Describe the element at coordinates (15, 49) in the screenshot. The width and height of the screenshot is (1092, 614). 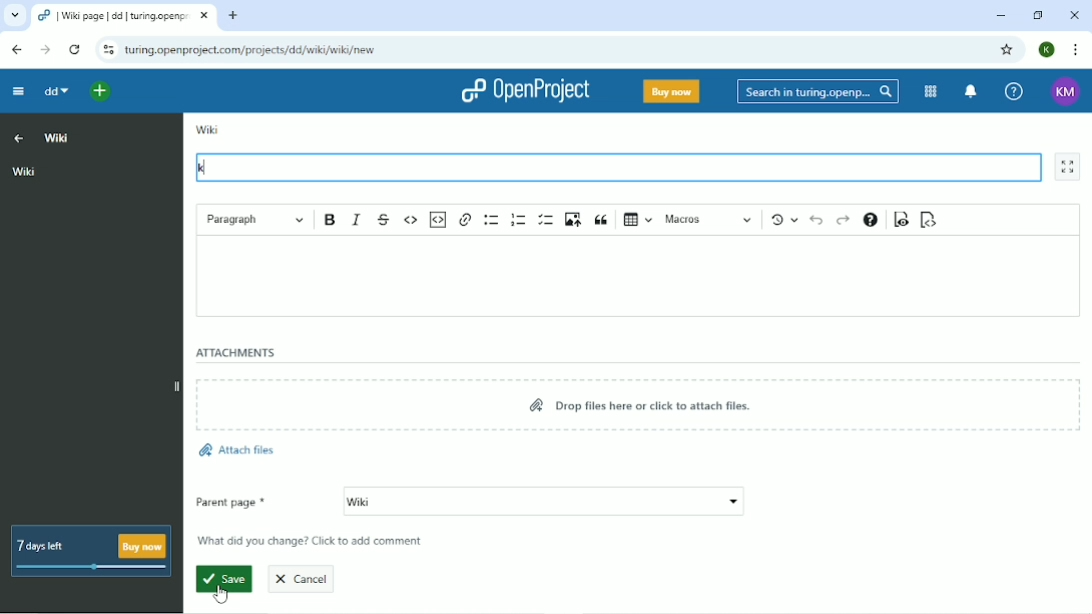
I see `Back` at that location.